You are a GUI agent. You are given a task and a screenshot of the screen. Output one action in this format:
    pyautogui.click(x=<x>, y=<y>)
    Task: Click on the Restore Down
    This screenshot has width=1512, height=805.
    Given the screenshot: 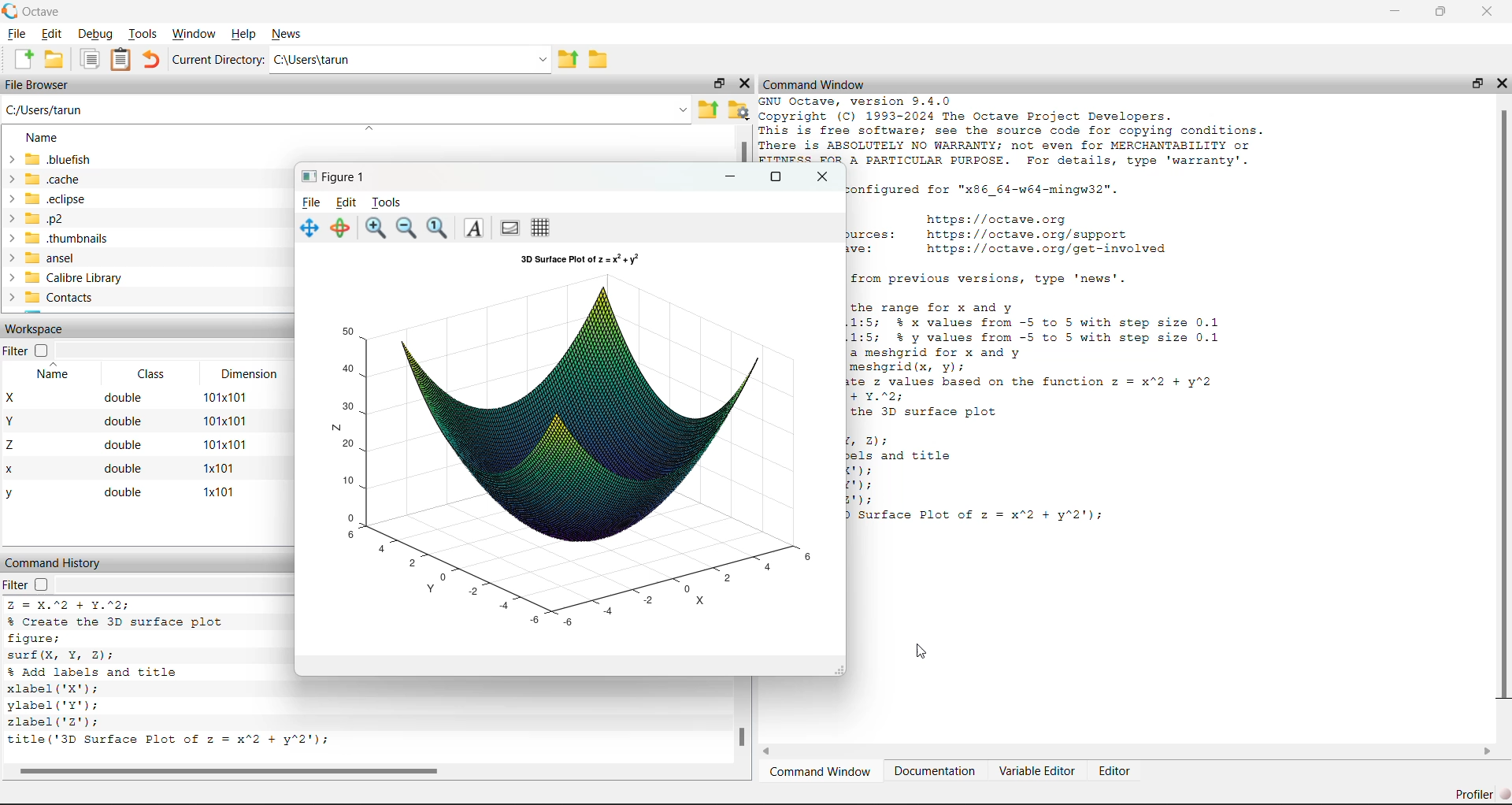 What is the action you would take?
    pyautogui.click(x=1440, y=10)
    